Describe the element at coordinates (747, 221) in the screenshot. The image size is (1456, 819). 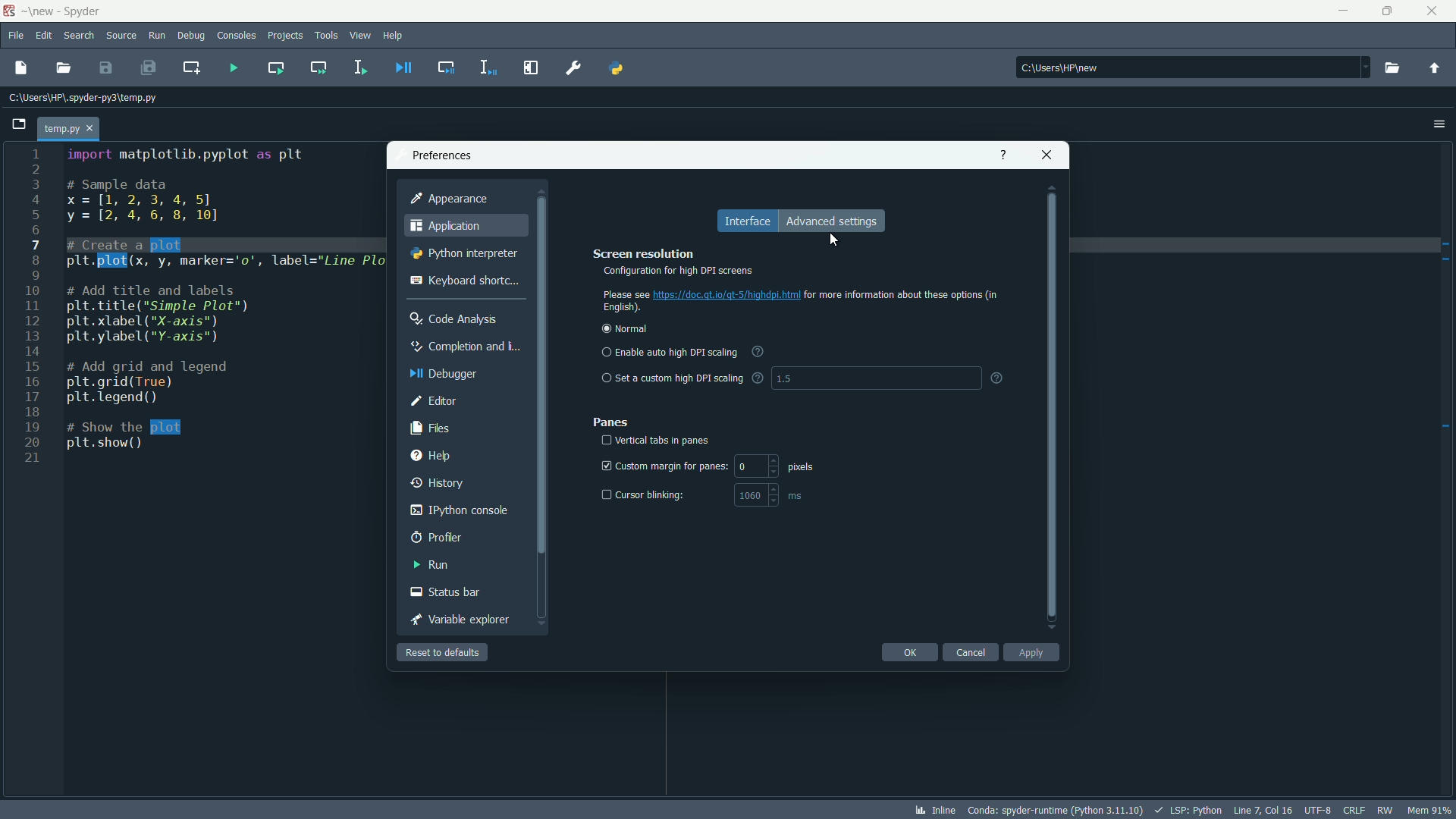
I see `interface` at that location.